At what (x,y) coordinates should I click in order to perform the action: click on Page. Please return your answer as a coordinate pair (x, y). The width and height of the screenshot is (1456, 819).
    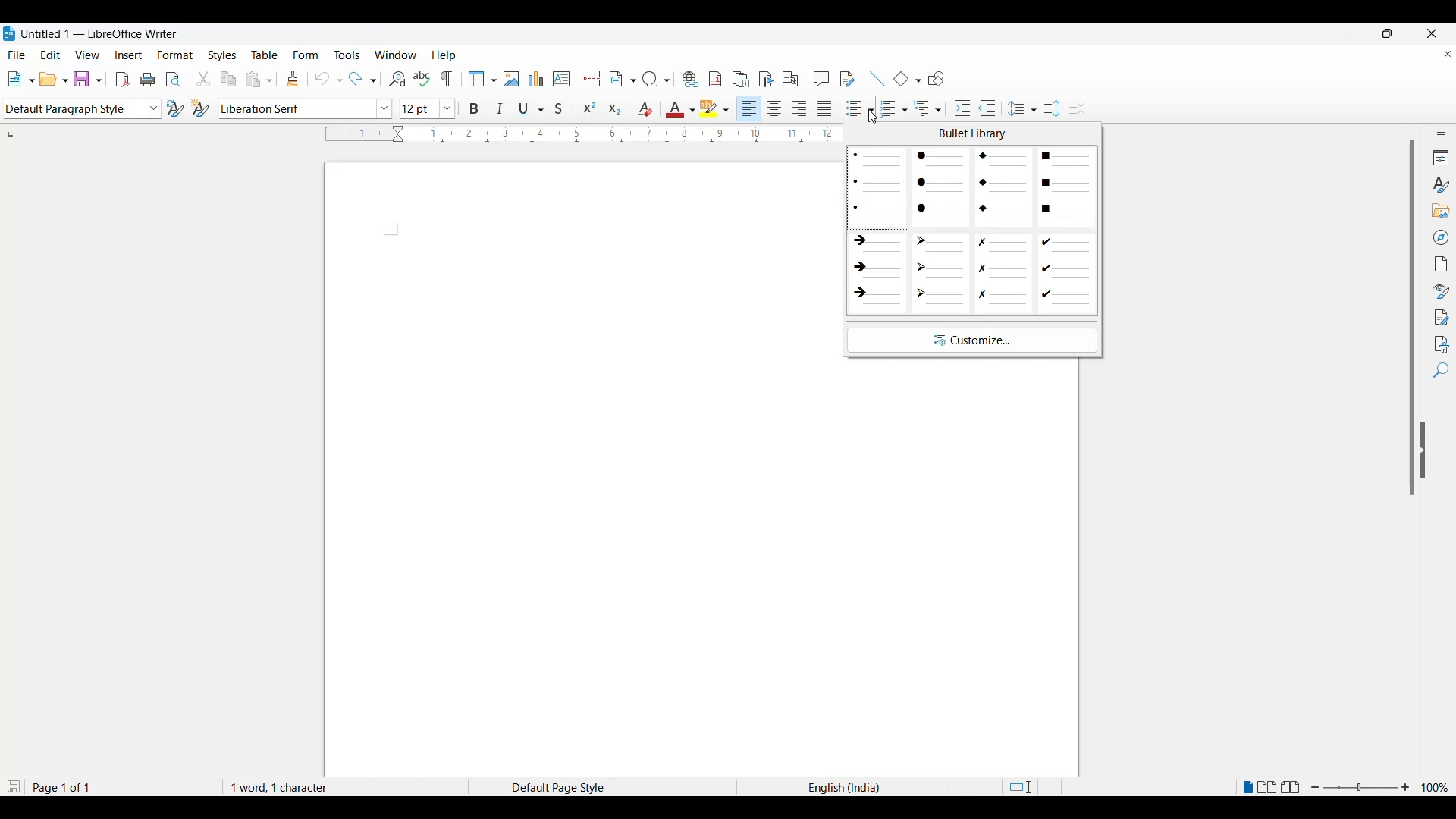
    Looking at the image, I should click on (1440, 262).